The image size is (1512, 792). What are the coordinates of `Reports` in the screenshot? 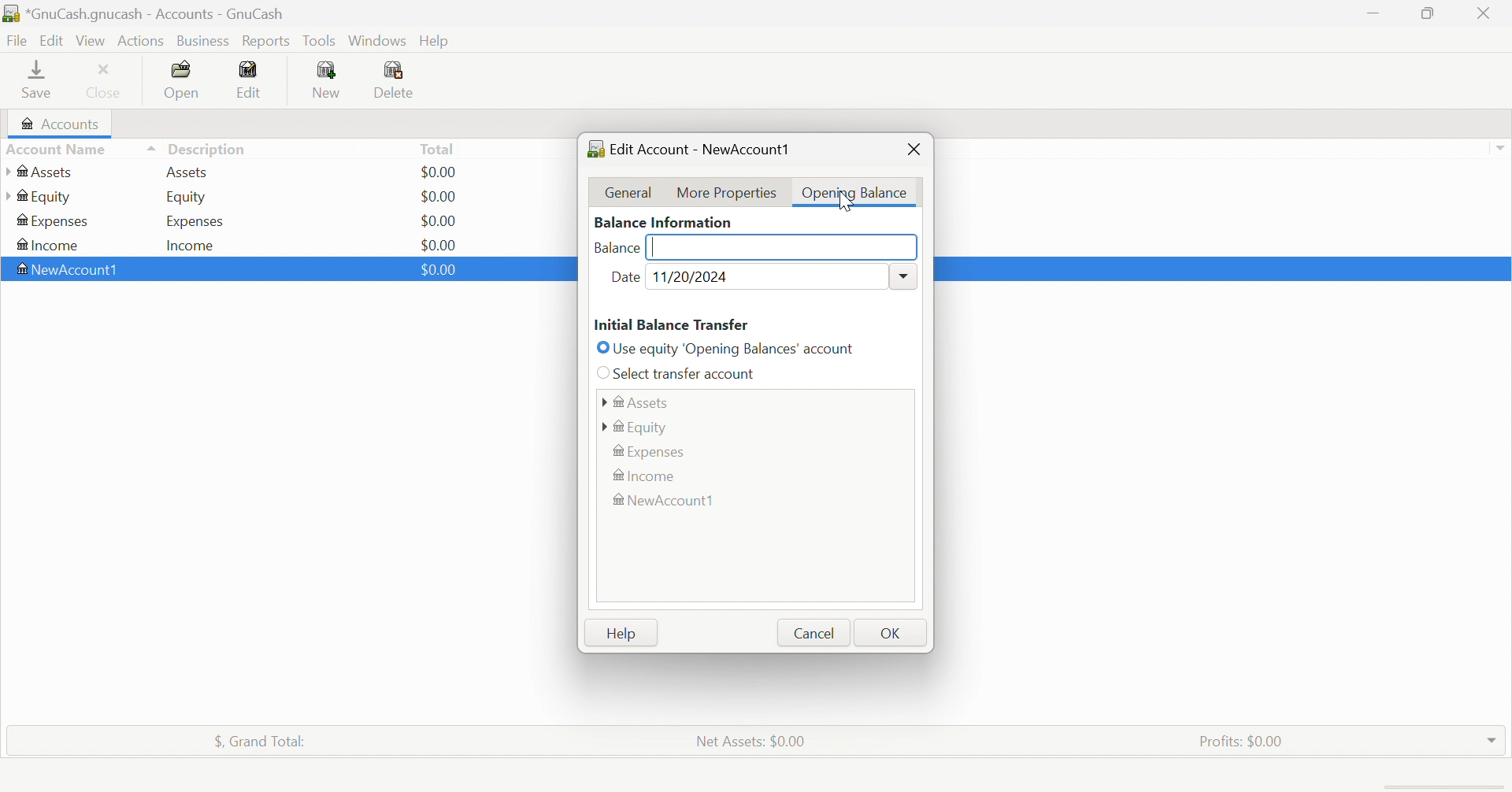 It's located at (267, 41).